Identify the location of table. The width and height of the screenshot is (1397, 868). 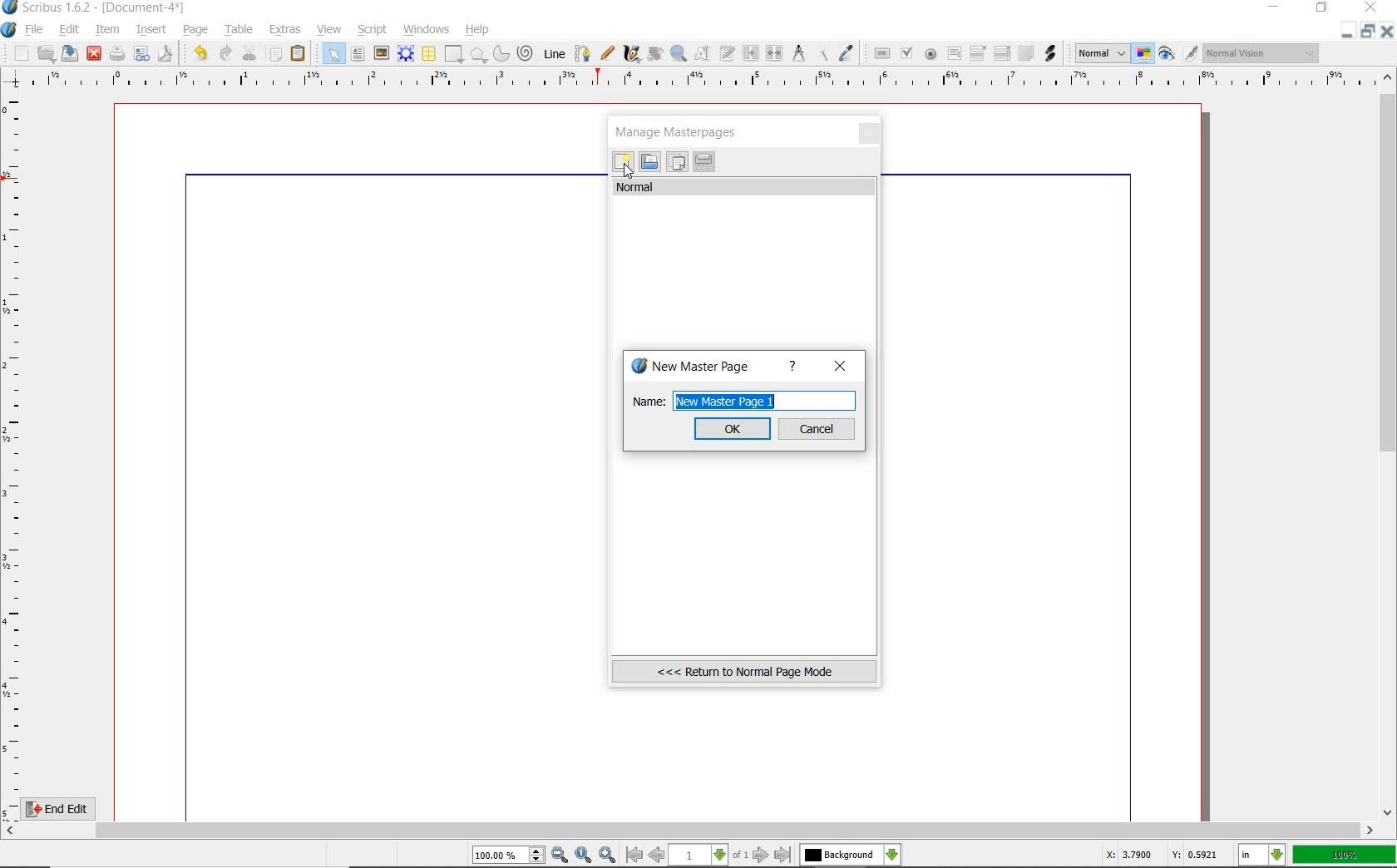
(428, 54).